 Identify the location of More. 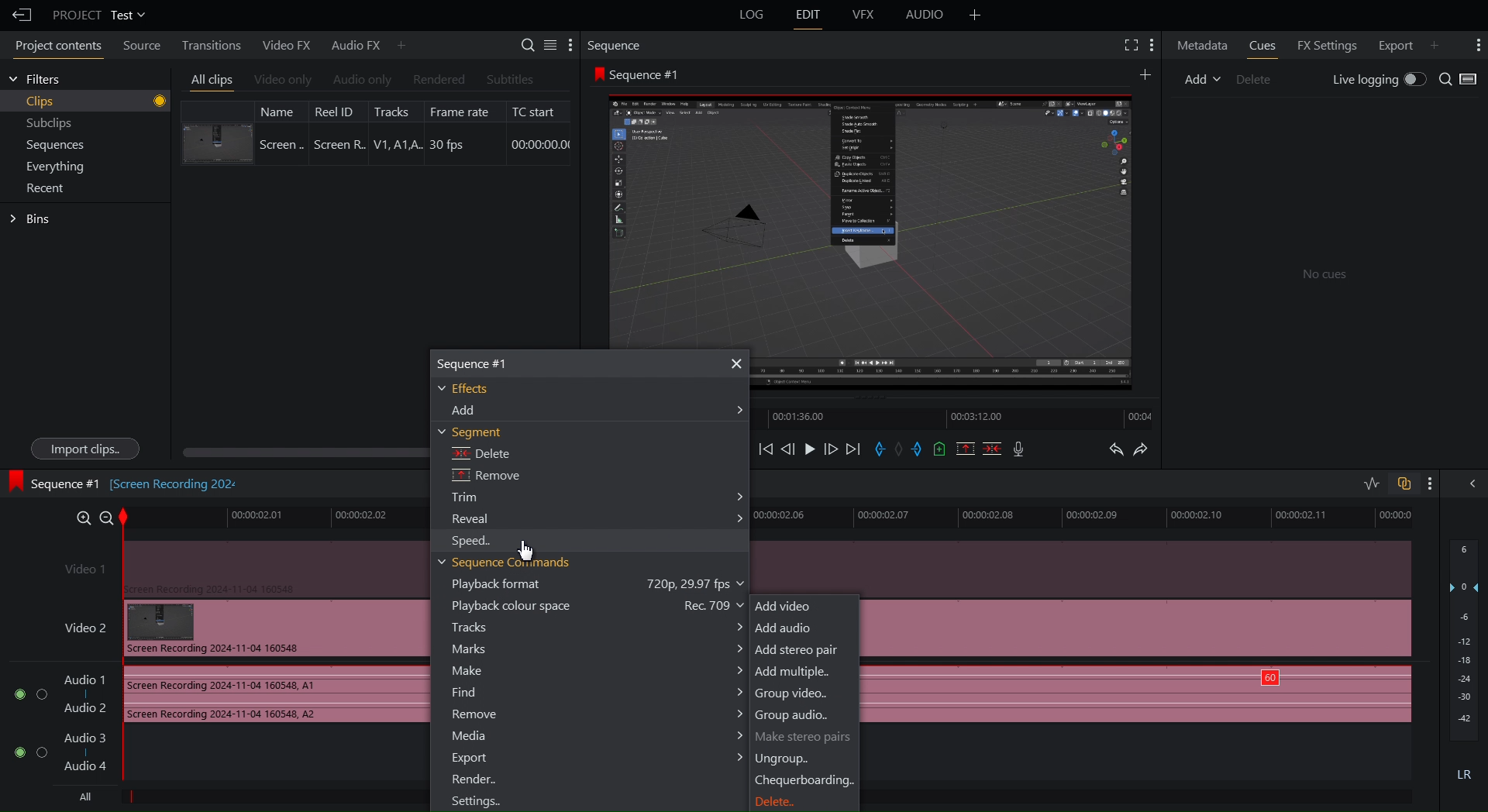
(1476, 45).